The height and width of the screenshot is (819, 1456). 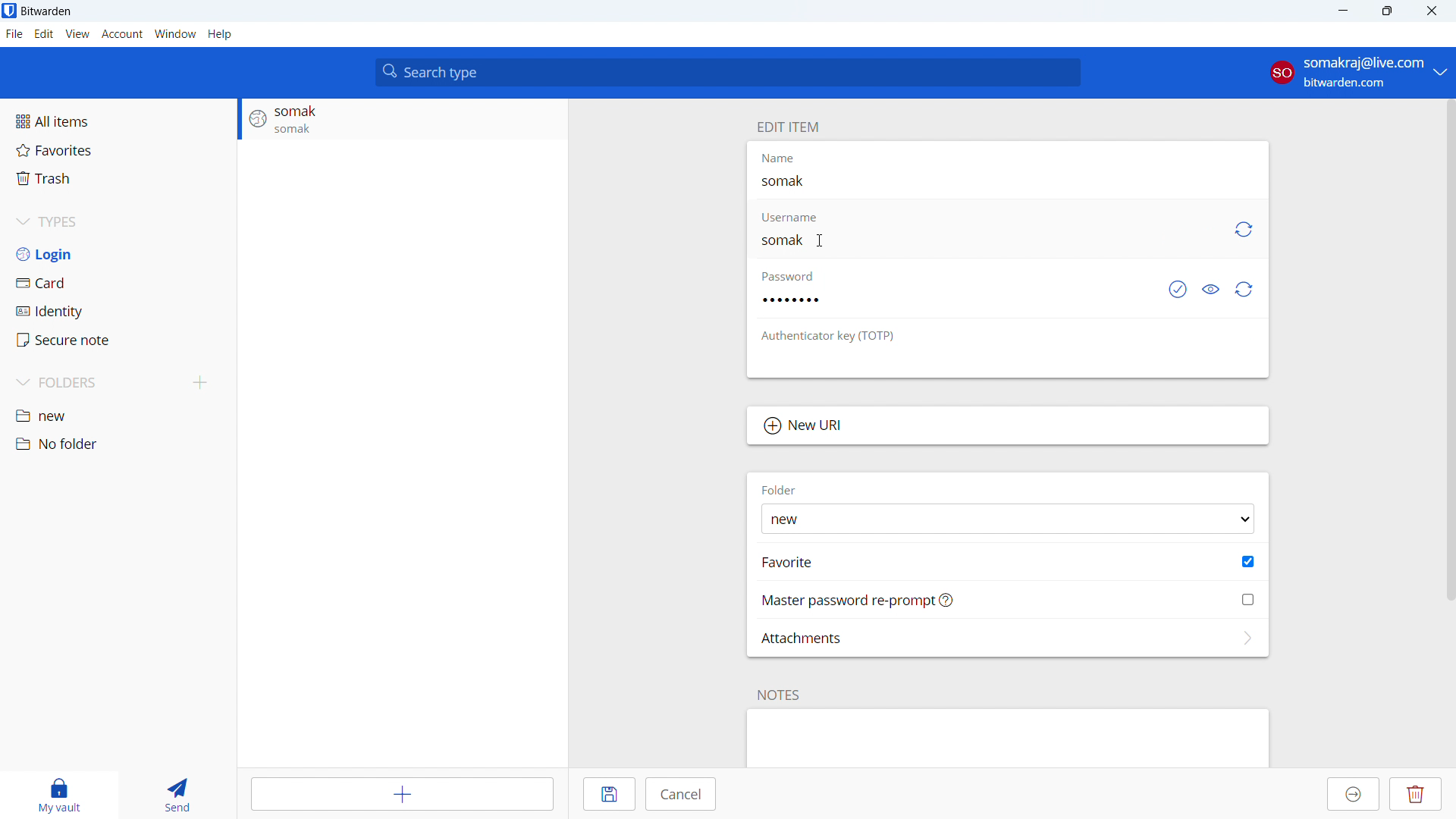 What do you see at coordinates (1007, 739) in the screenshot?
I see `add note` at bounding box center [1007, 739].